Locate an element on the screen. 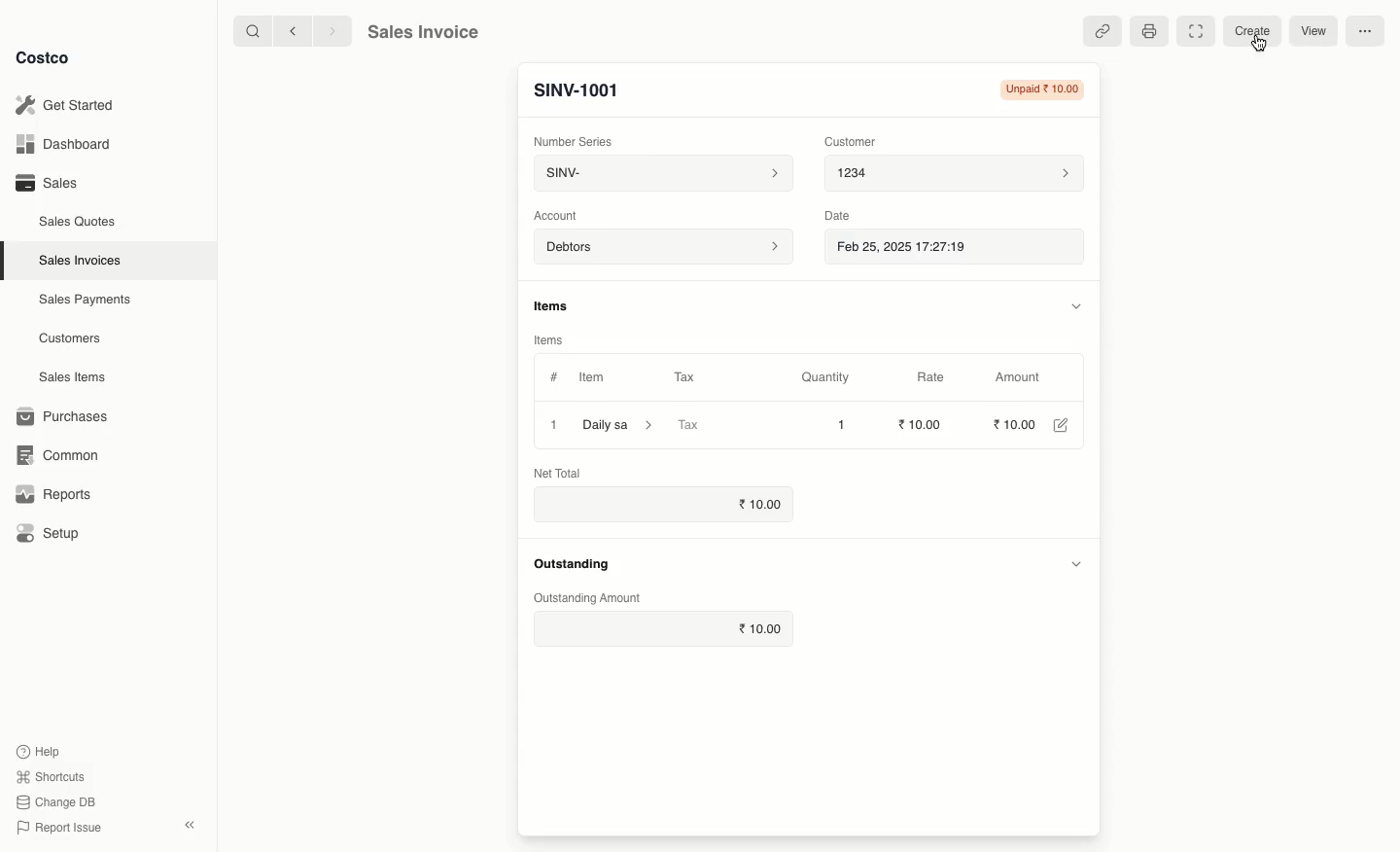  Tax is located at coordinates (690, 423).